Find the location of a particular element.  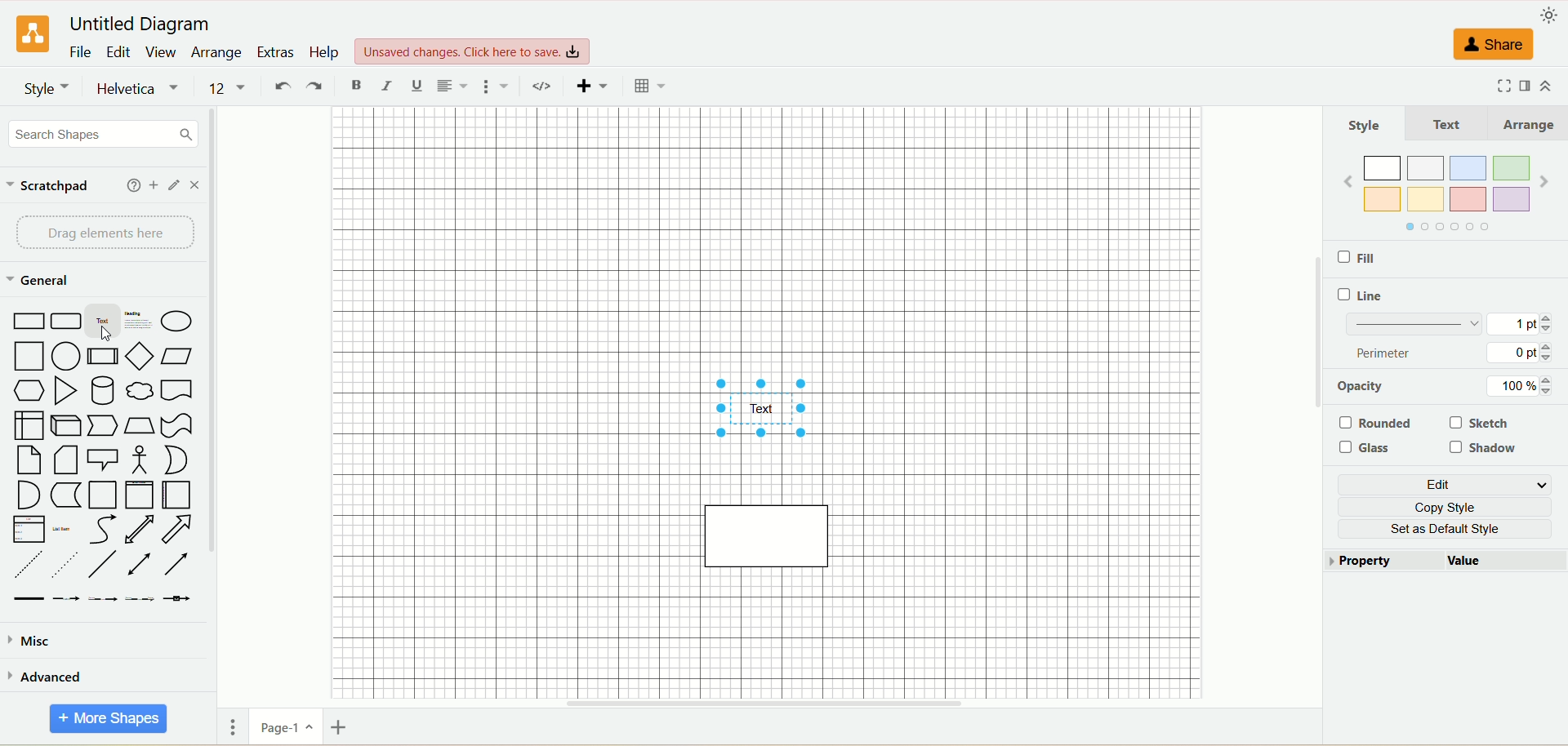

advanced is located at coordinates (47, 677).